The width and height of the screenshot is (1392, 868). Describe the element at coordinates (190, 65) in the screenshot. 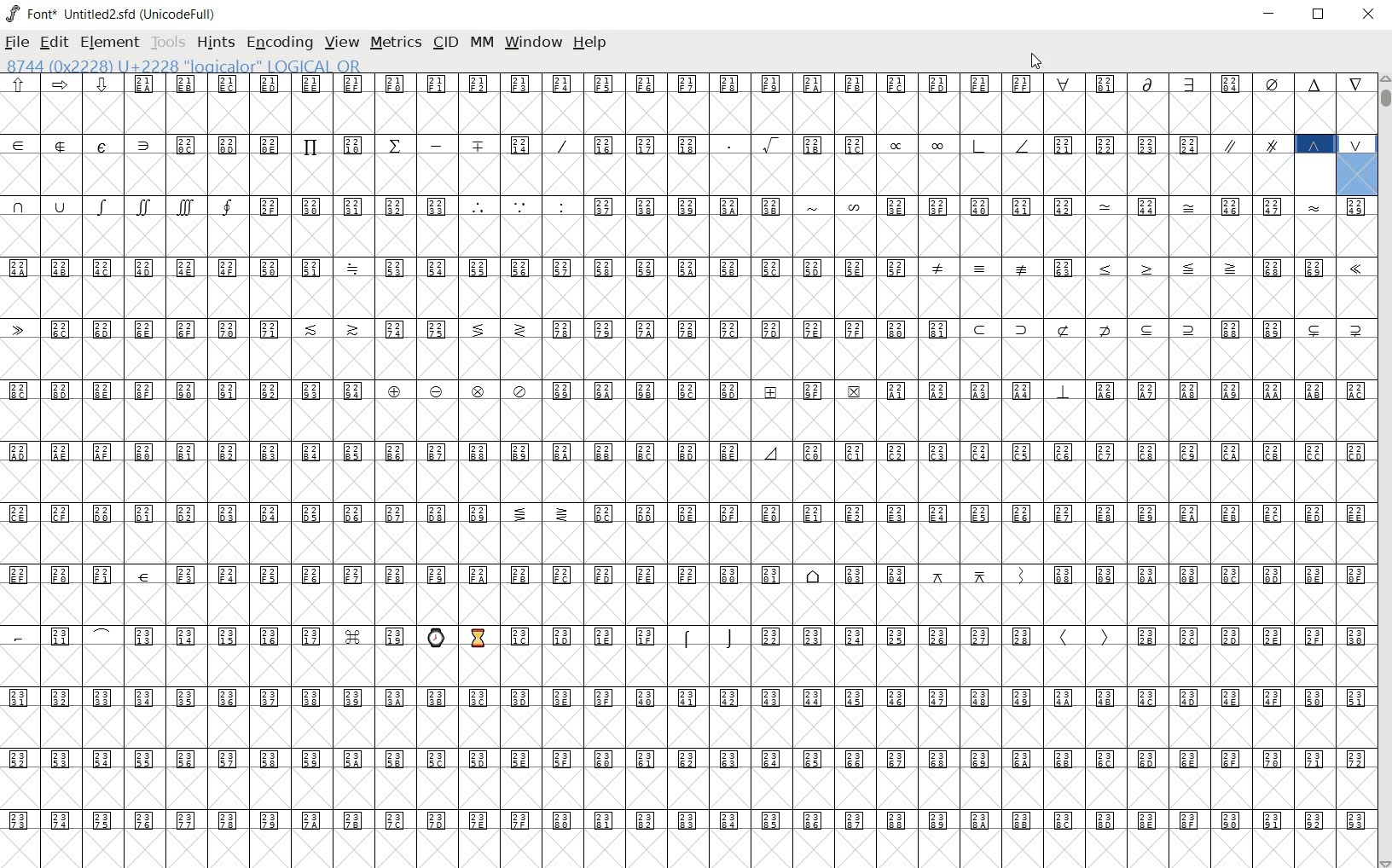

I see `8744 (0x2228) U+2228 "logicalor" LOGICAL OR` at that location.